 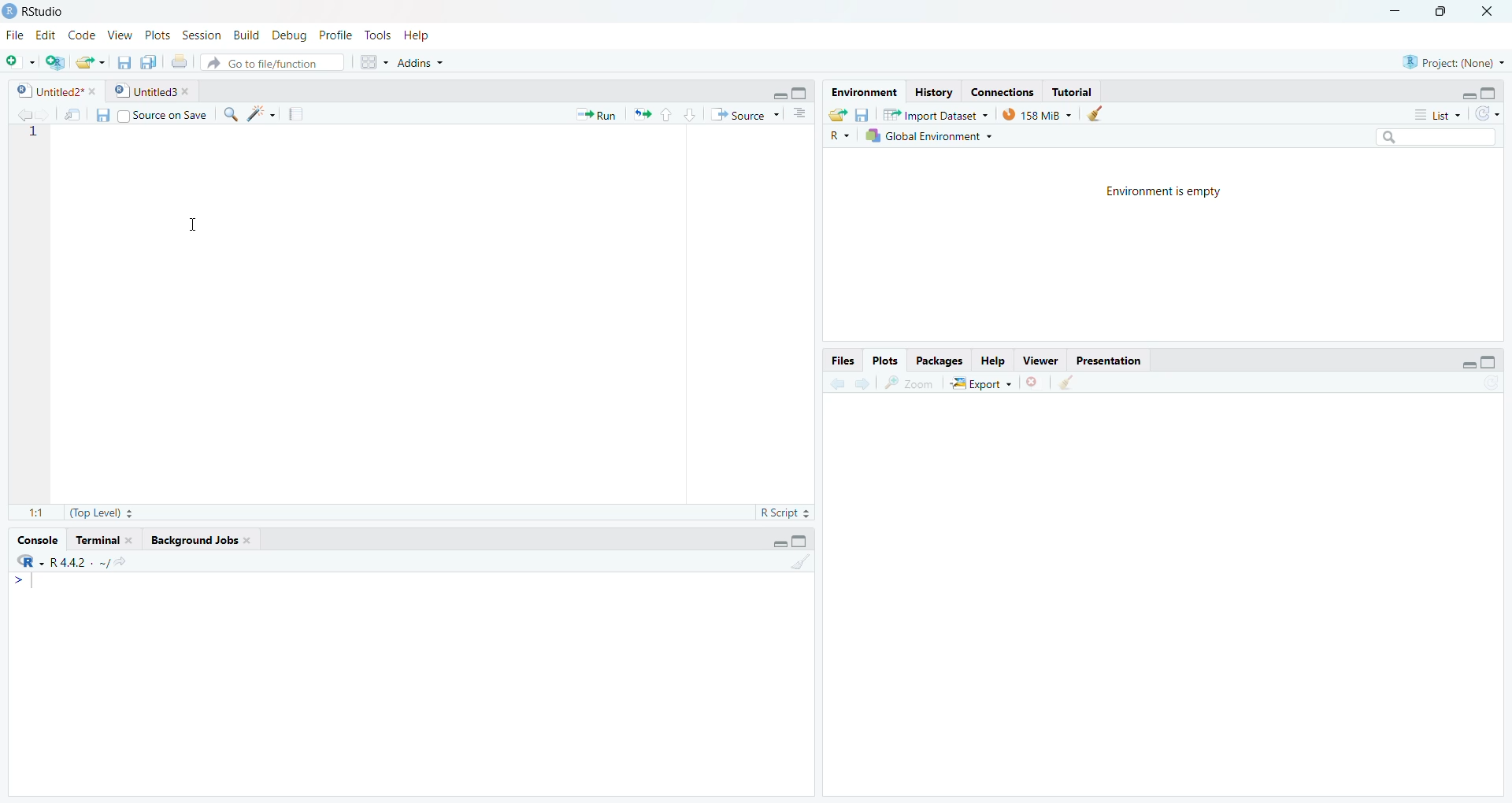 What do you see at coordinates (424, 65) in the screenshot?
I see `~ Addins ~` at bounding box center [424, 65].